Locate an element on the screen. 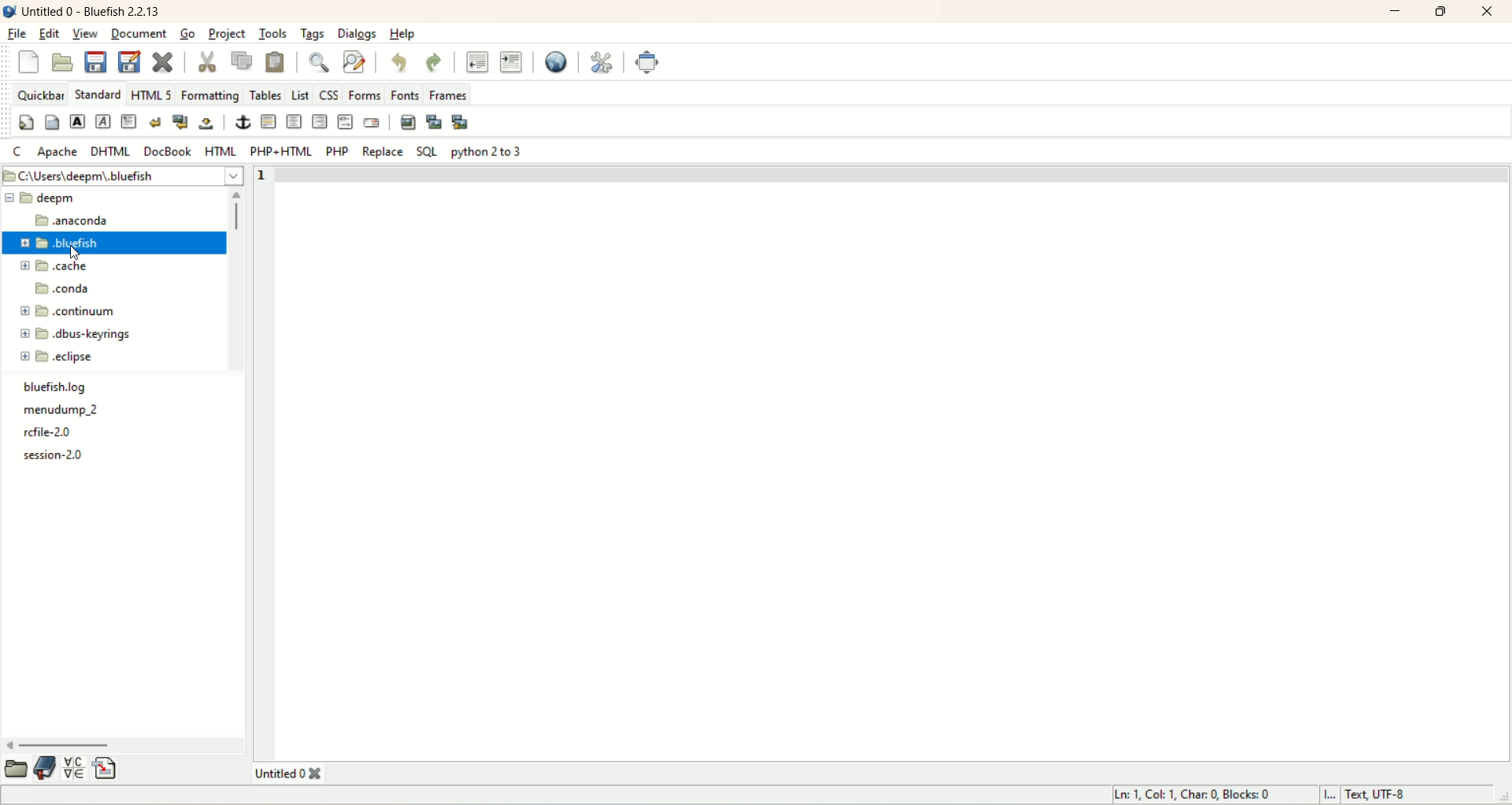 The height and width of the screenshot is (805, 1512). anaconda is located at coordinates (72, 221).